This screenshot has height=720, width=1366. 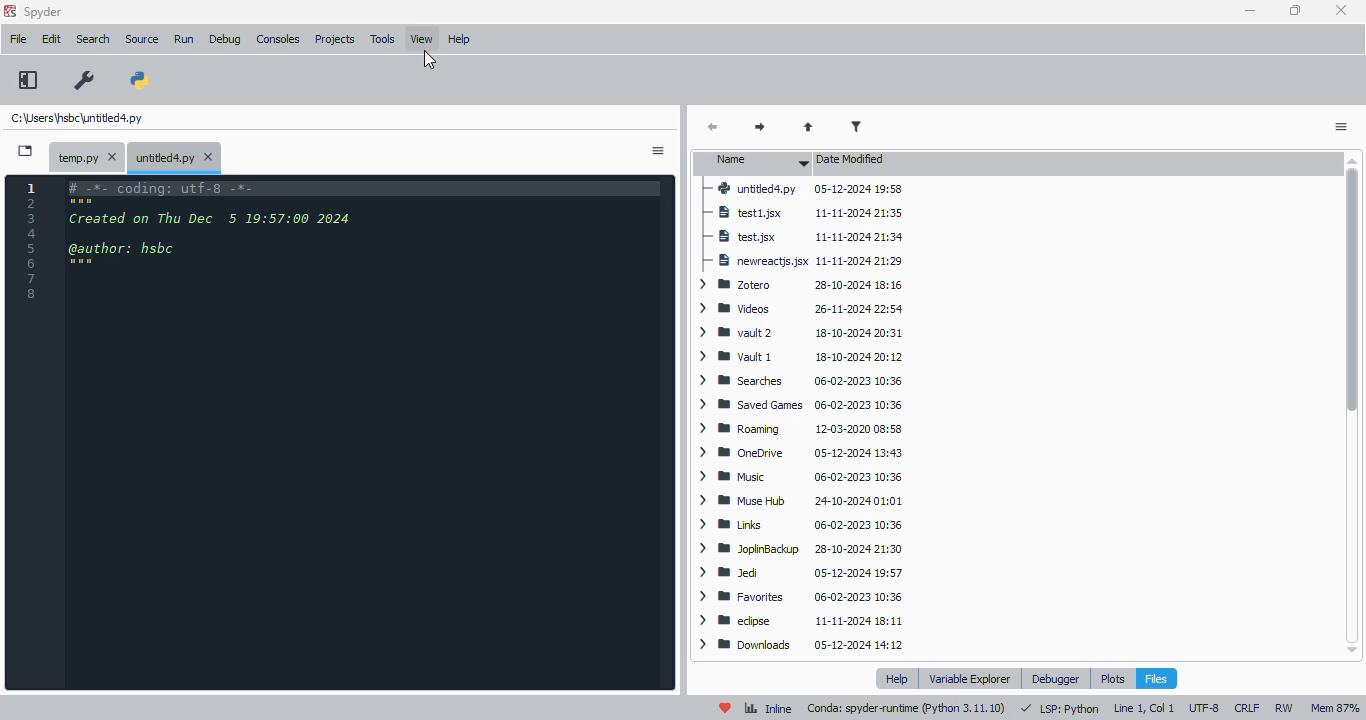 What do you see at coordinates (32, 240) in the screenshot?
I see `line numbers` at bounding box center [32, 240].